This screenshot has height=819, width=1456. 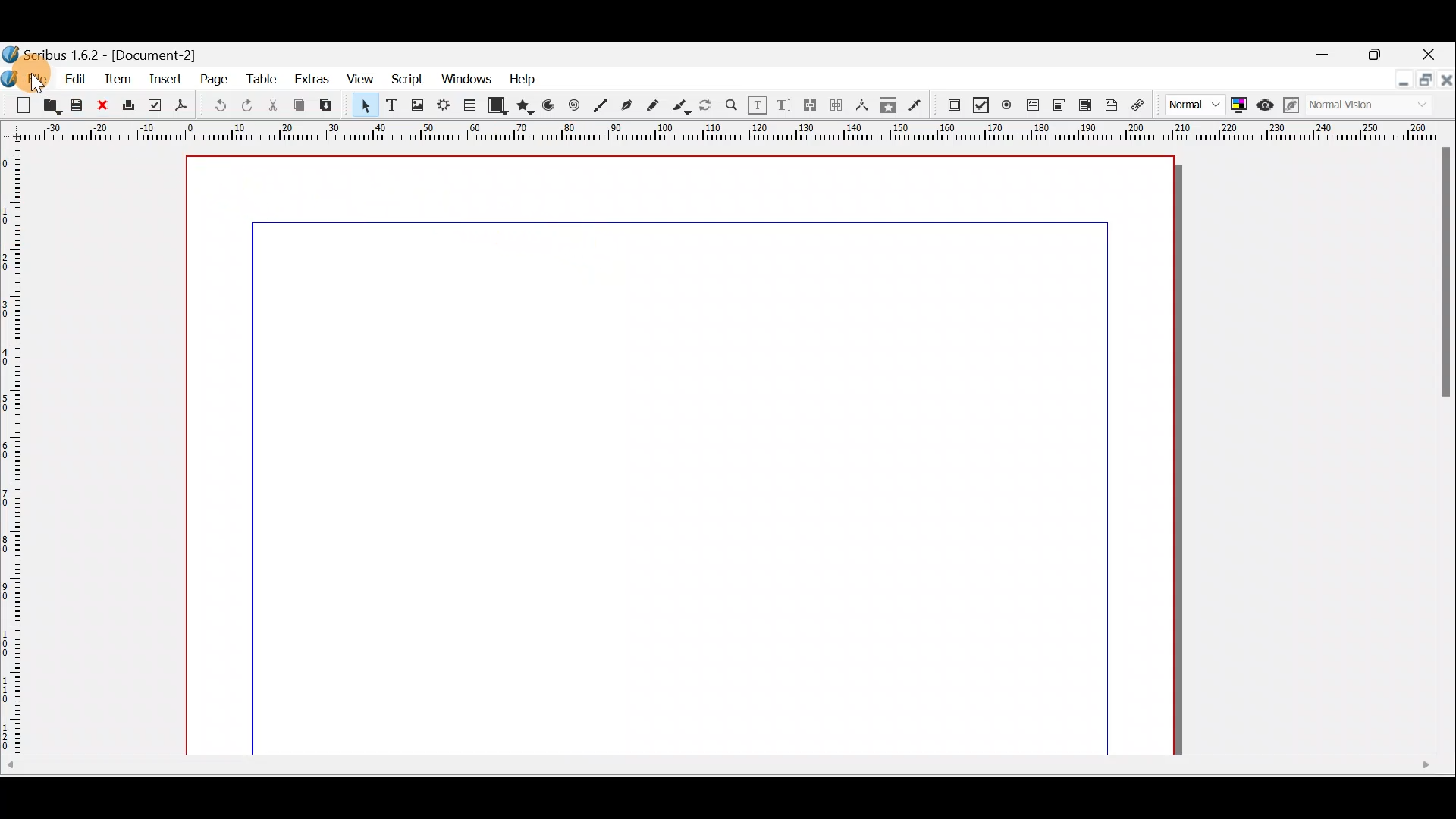 I want to click on Help, so click(x=526, y=79).